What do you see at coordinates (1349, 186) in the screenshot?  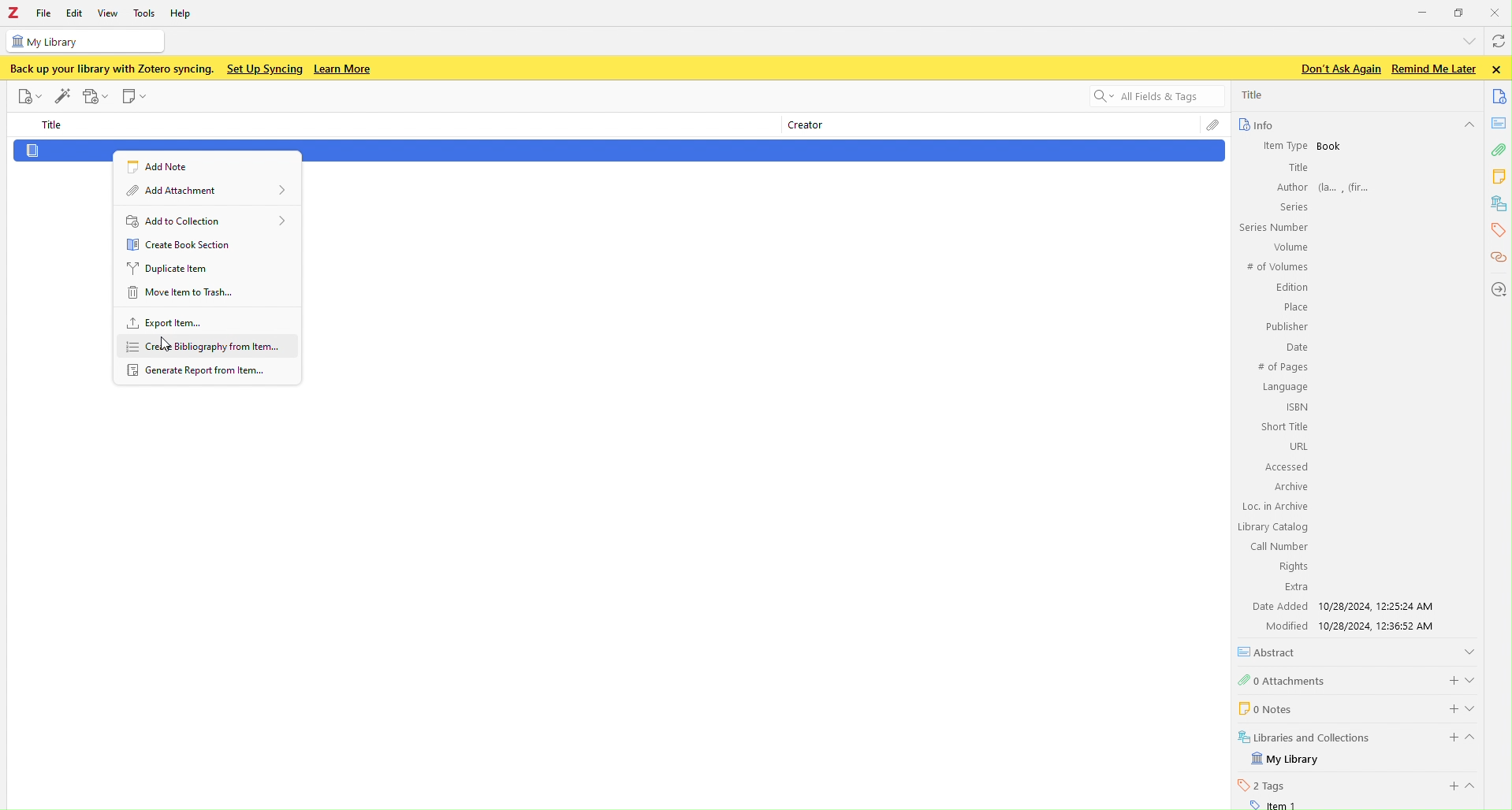 I see `fa, fr` at bounding box center [1349, 186].